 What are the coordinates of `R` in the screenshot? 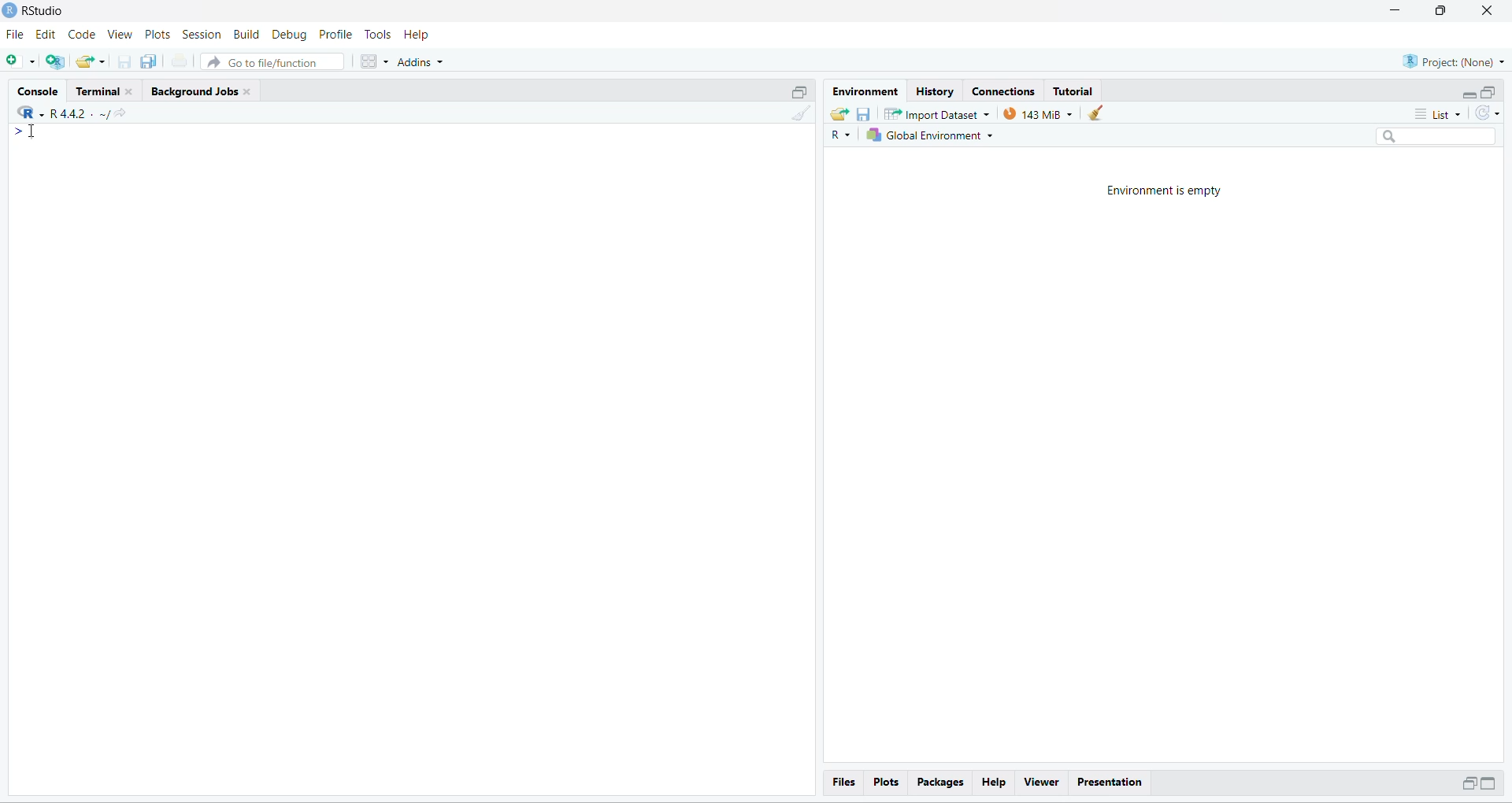 It's located at (30, 111).